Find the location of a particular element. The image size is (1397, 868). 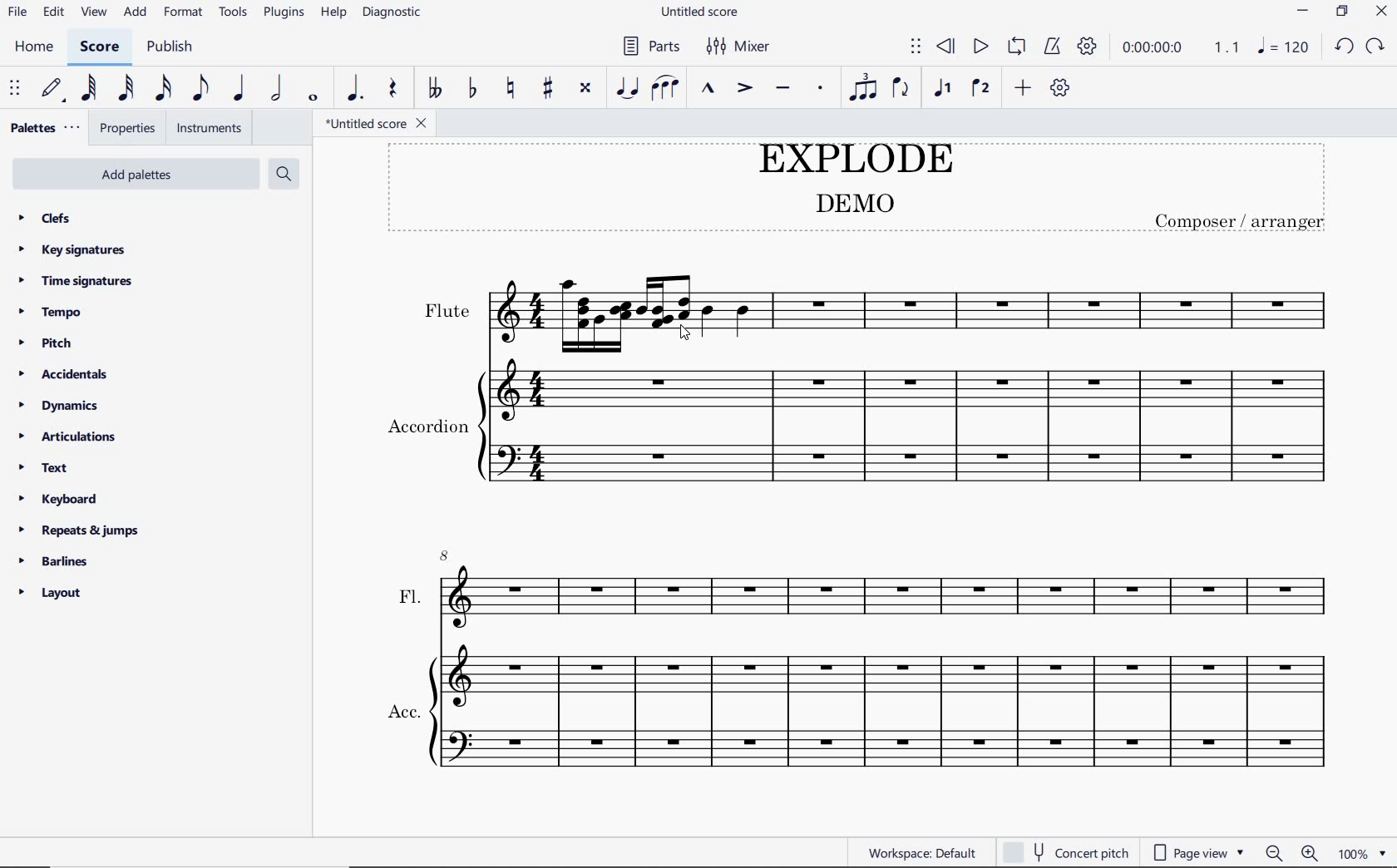

Instrument: Accordion is located at coordinates (866, 428).